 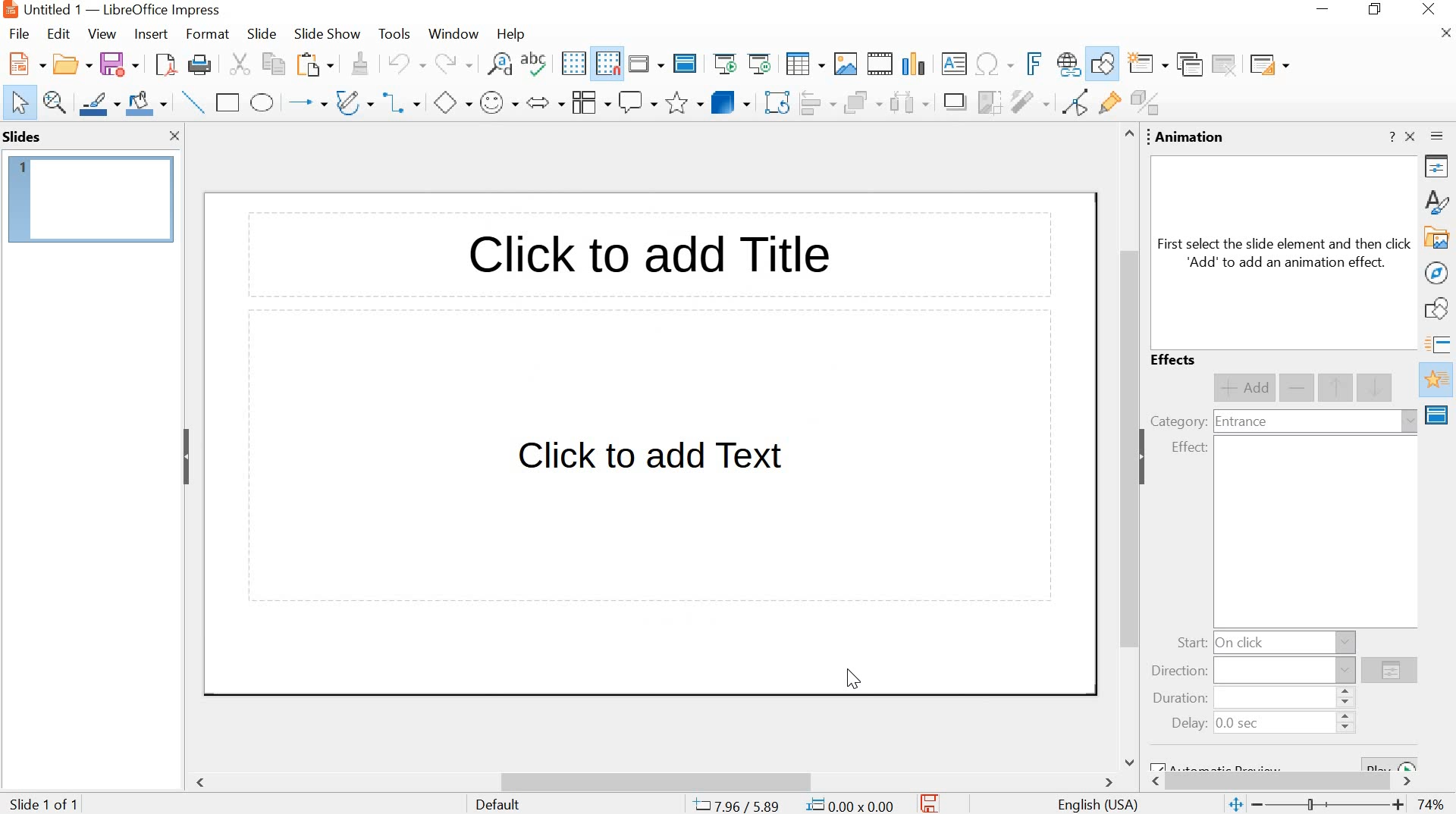 What do you see at coordinates (324, 34) in the screenshot?
I see `slide show menu` at bounding box center [324, 34].